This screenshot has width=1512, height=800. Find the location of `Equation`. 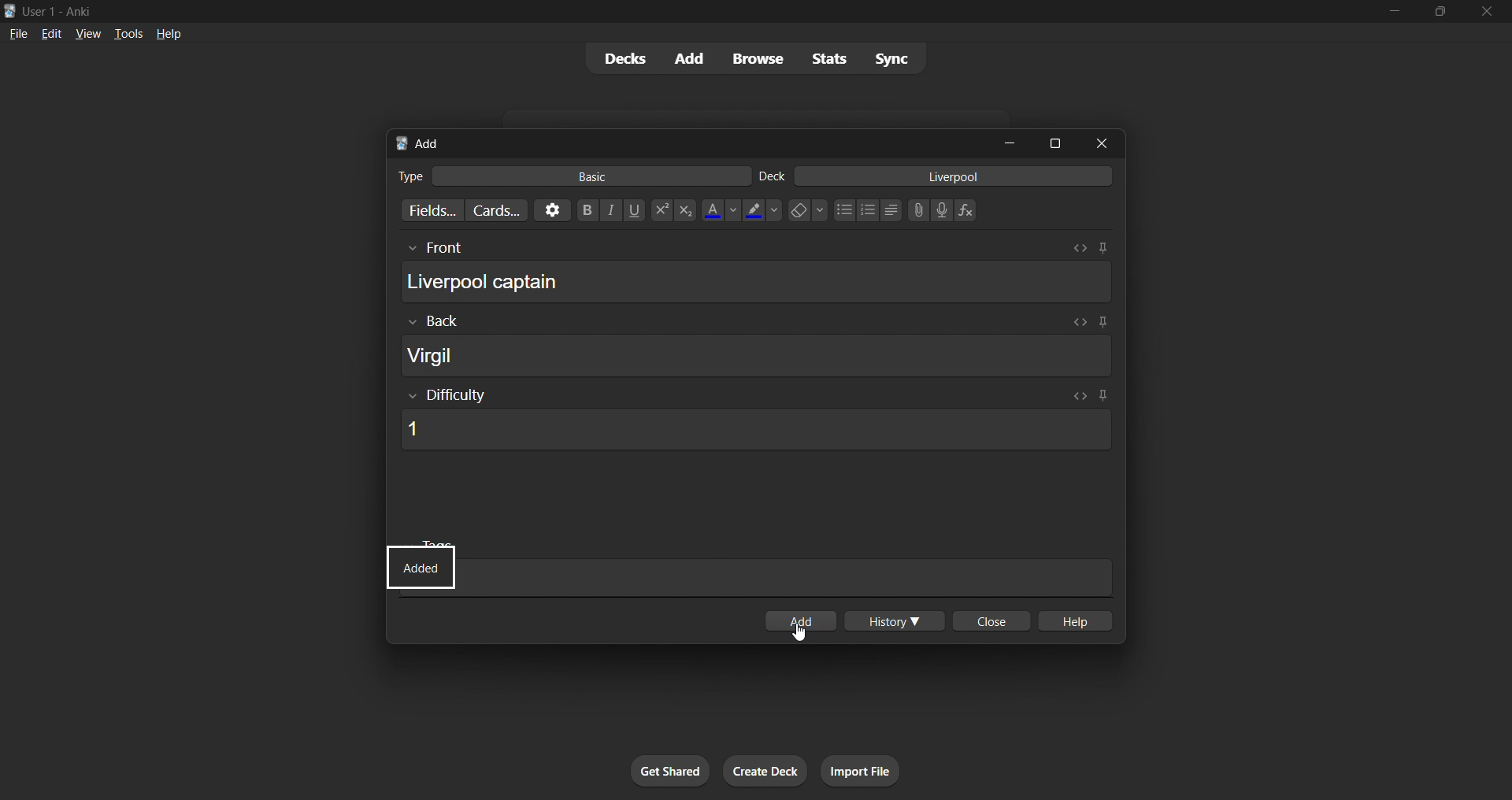

Equation is located at coordinates (965, 210).